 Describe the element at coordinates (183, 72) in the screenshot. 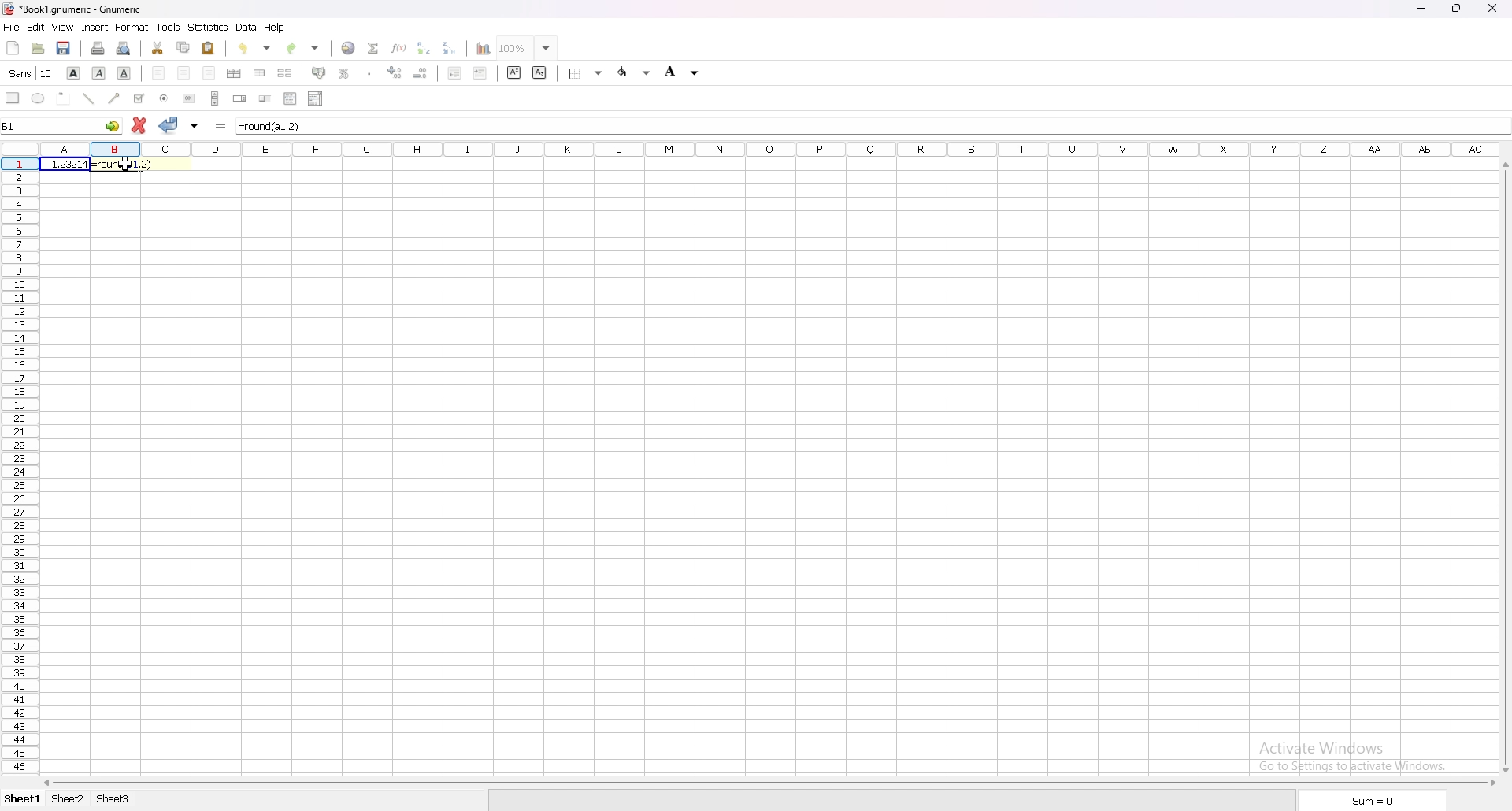

I see `centre` at that location.